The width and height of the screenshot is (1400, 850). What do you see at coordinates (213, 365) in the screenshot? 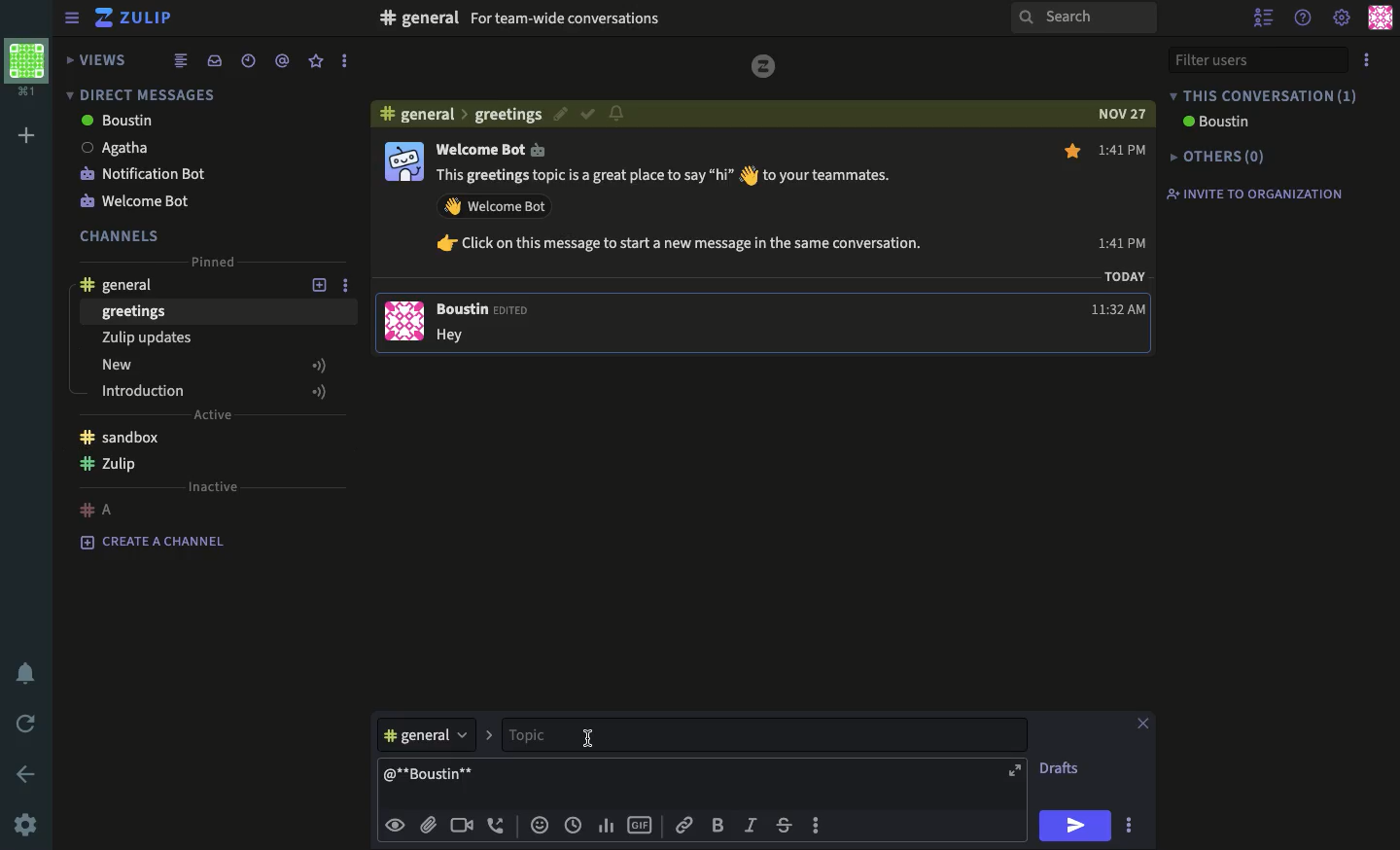
I see `new` at bounding box center [213, 365].